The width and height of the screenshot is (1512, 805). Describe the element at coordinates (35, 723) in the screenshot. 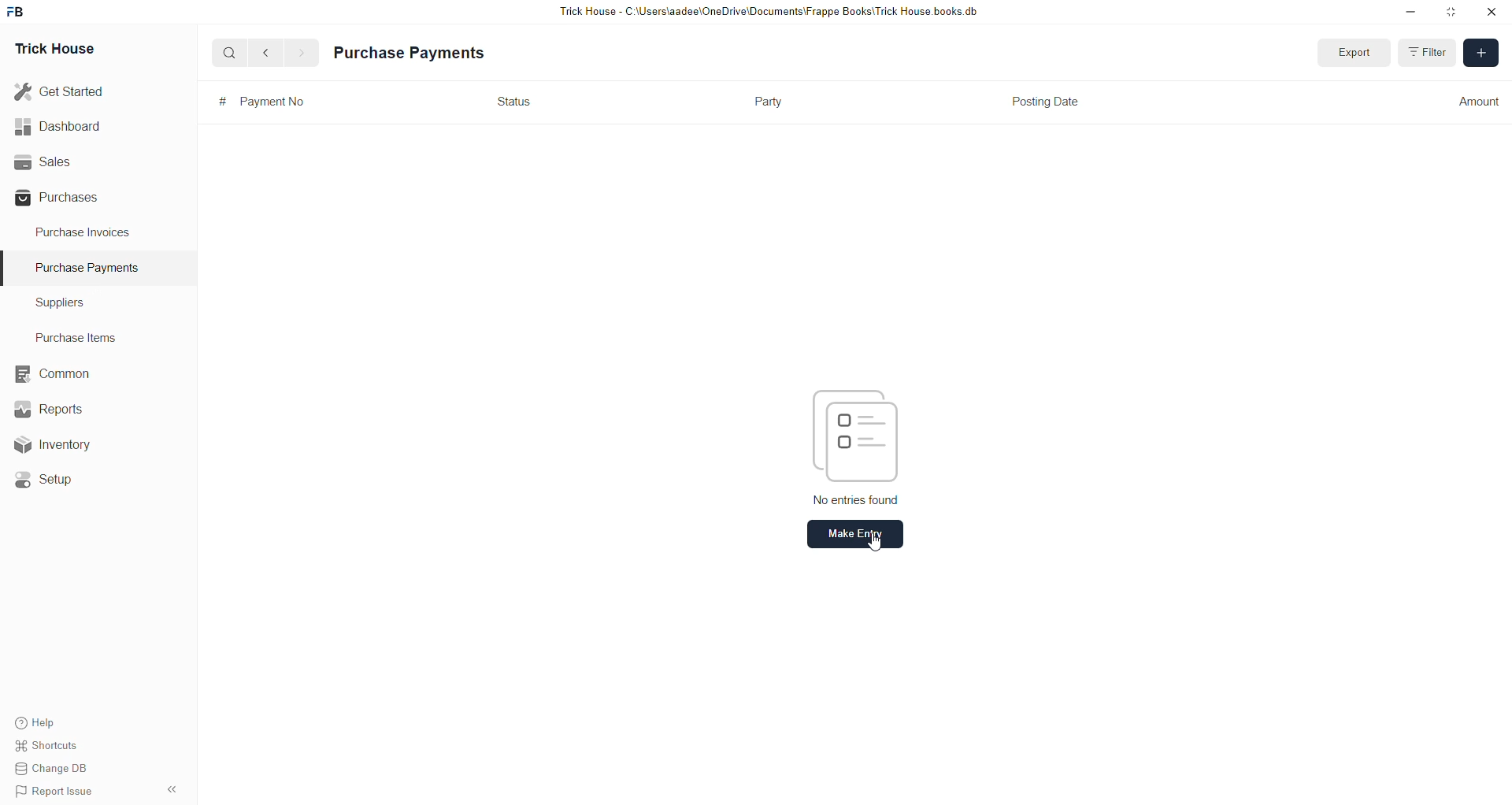

I see `Help` at that location.